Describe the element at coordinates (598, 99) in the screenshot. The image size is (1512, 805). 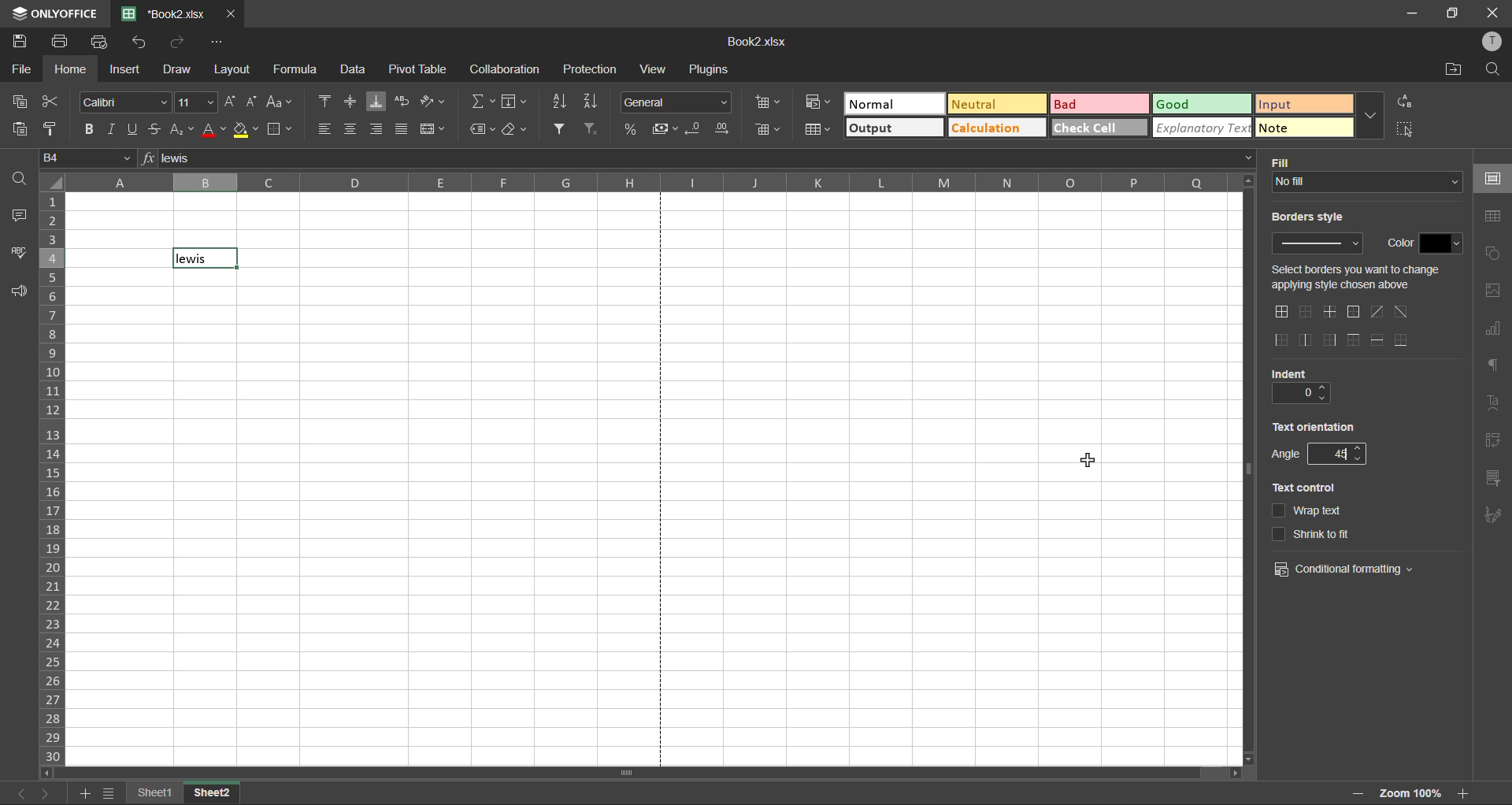
I see `sort descending` at that location.